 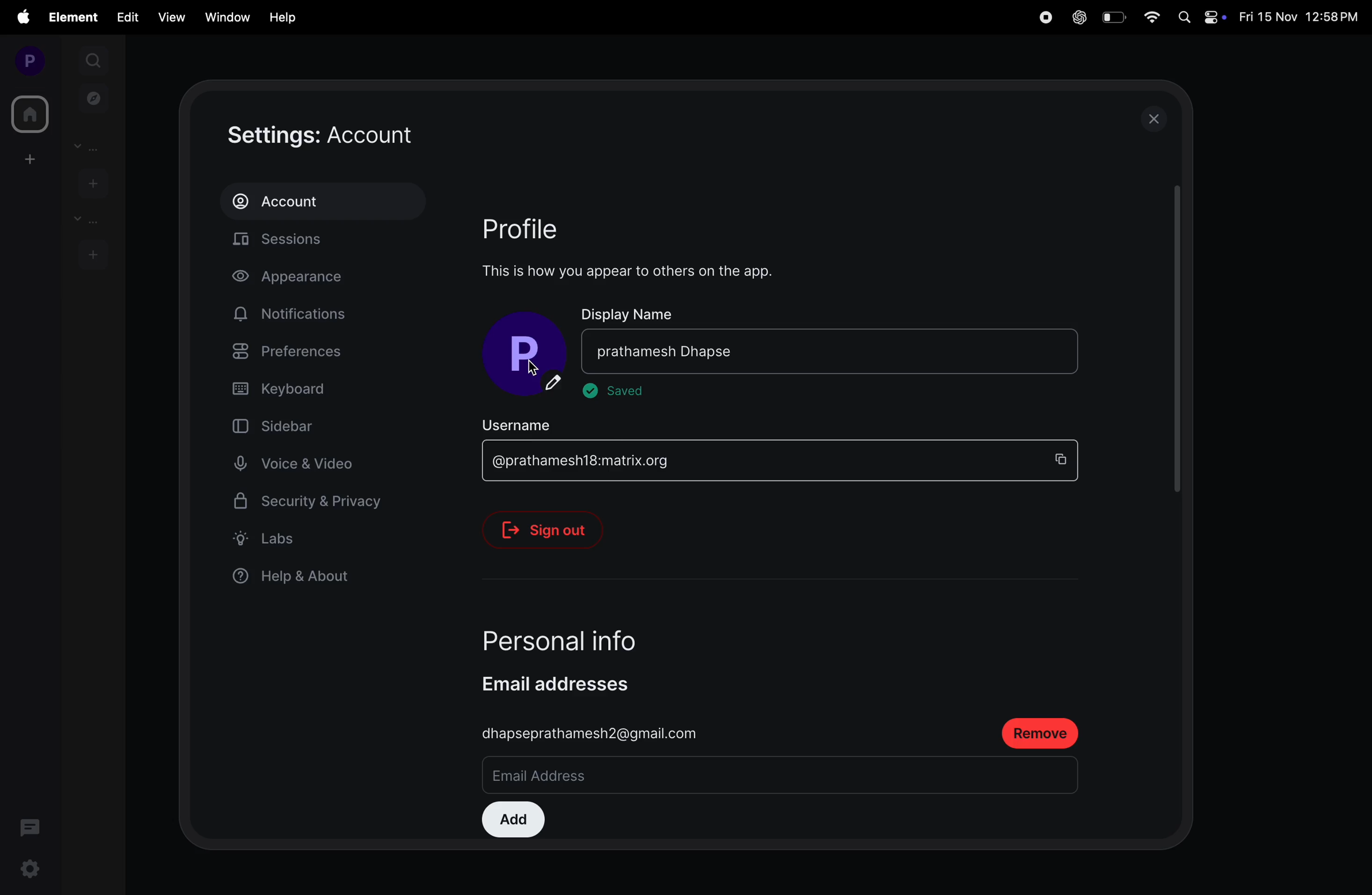 What do you see at coordinates (1201, 16) in the screenshot?
I see `apple widgets` at bounding box center [1201, 16].